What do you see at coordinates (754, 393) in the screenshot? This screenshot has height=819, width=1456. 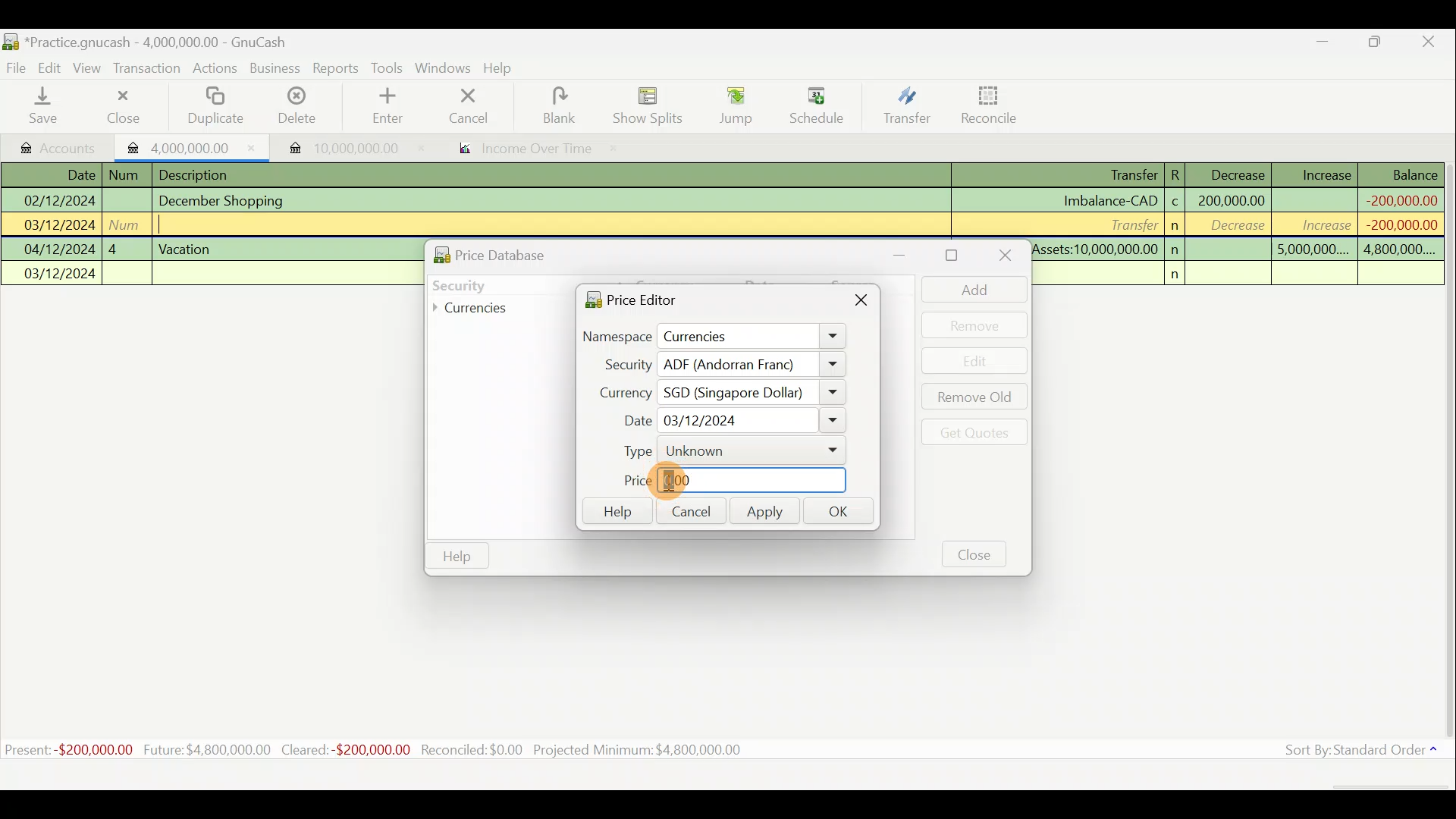 I see `SGD` at bounding box center [754, 393].